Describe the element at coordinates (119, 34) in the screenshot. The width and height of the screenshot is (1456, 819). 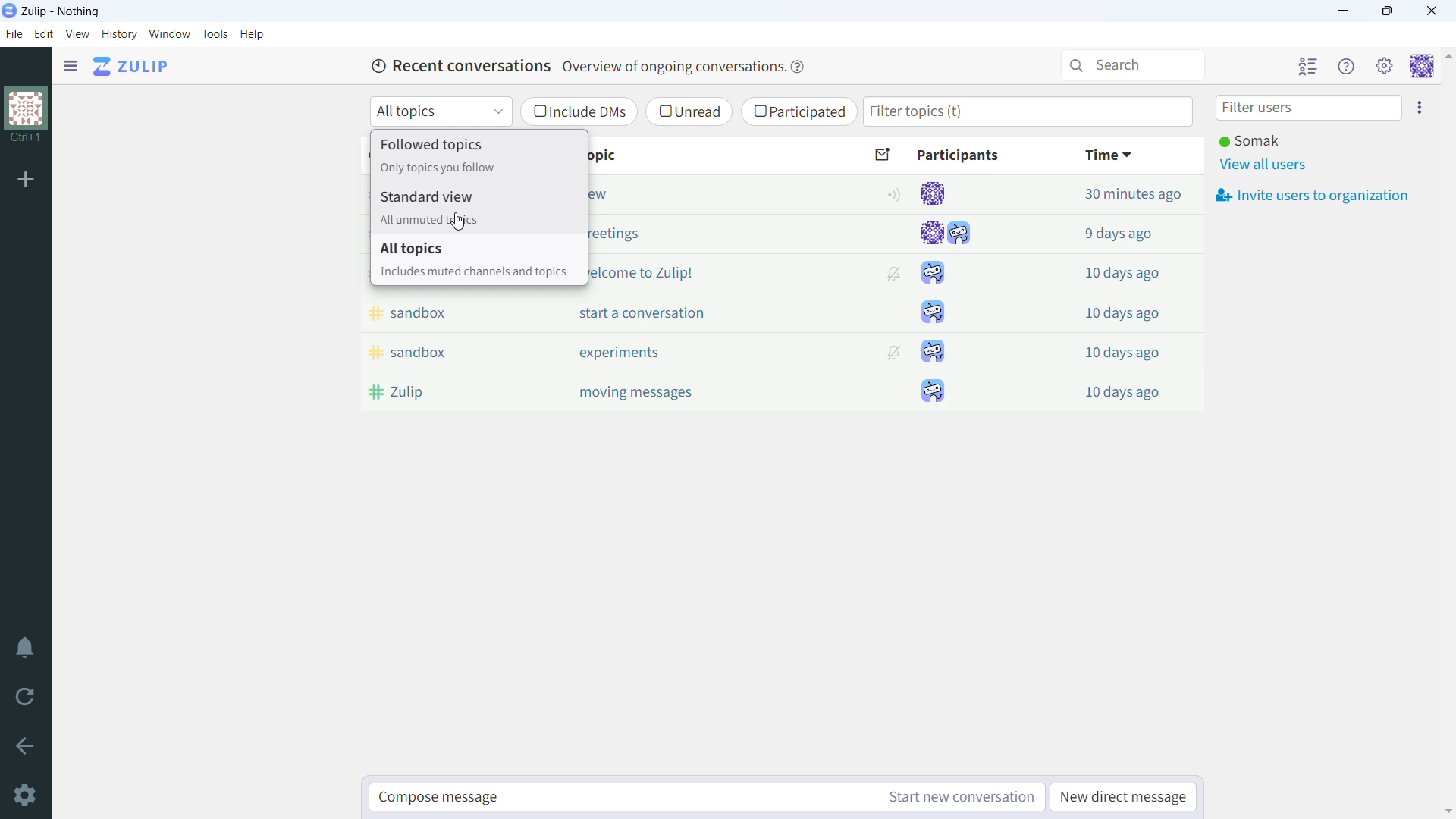
I see `history` at that location.